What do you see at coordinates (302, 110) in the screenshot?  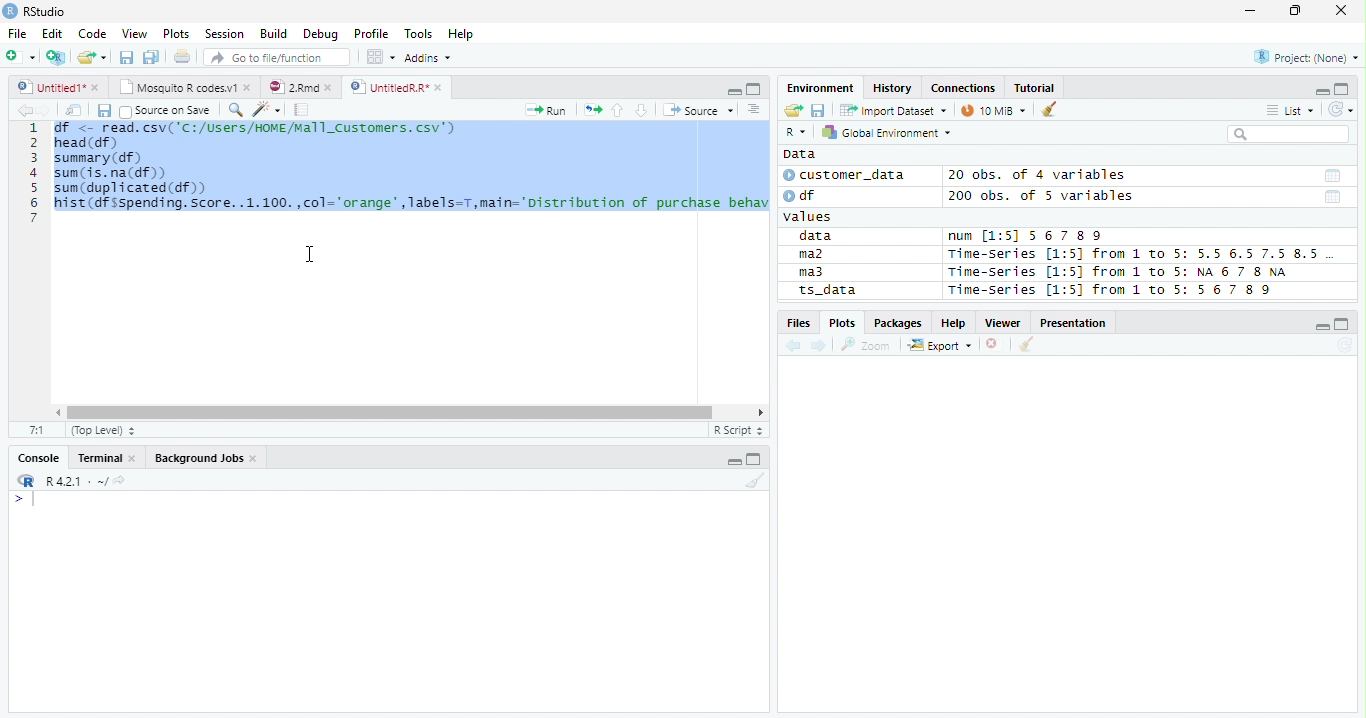 I see `Compile Report` at bounding box center [302, 110].